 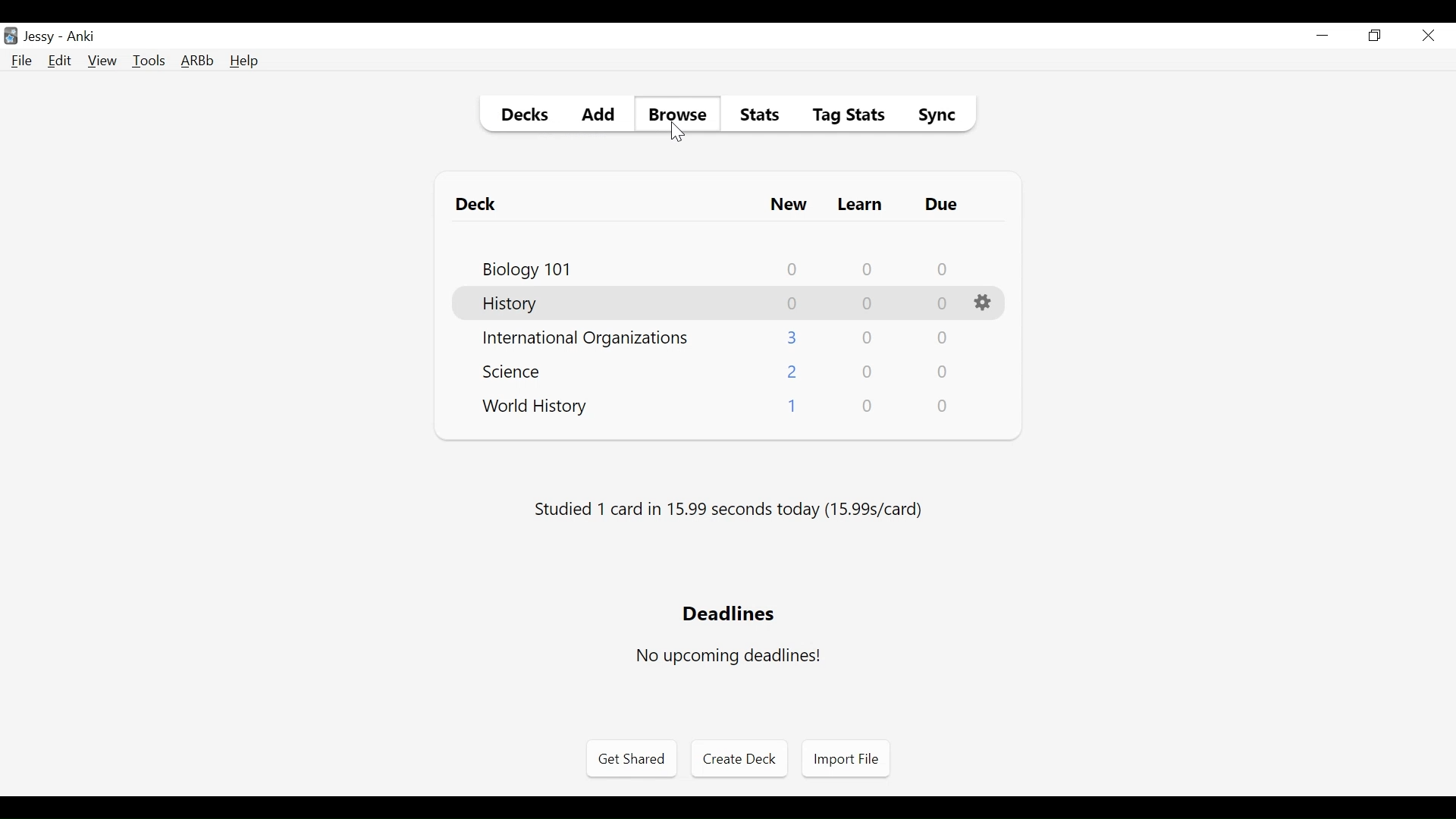 What do you see at coordinates (84, 36) in the screenshot?
I see `Anki` at bounding box center [84, 36].